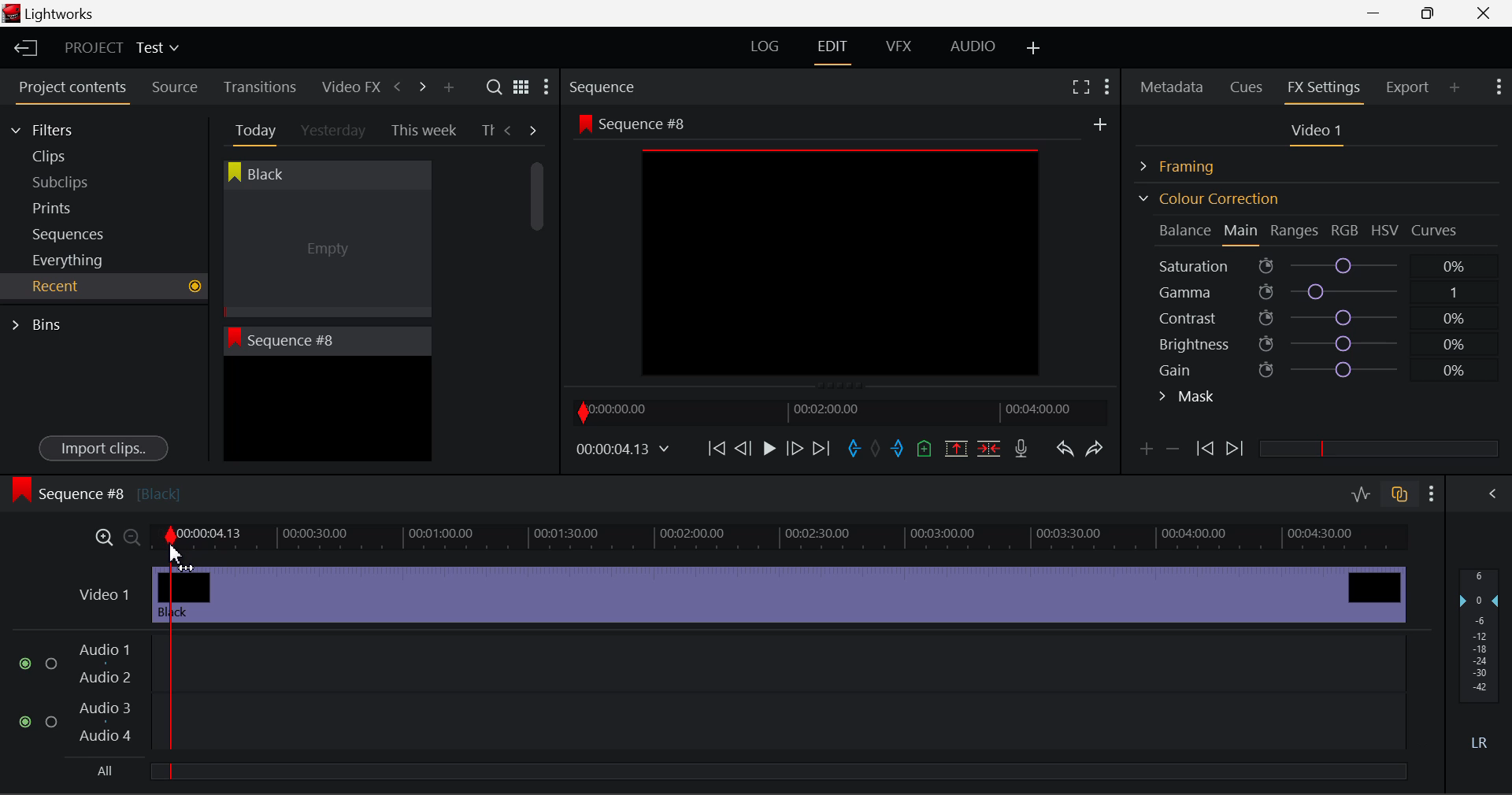 The image size is (1512, 795). I want to click on Metadata Panel, so click(1173, 84).